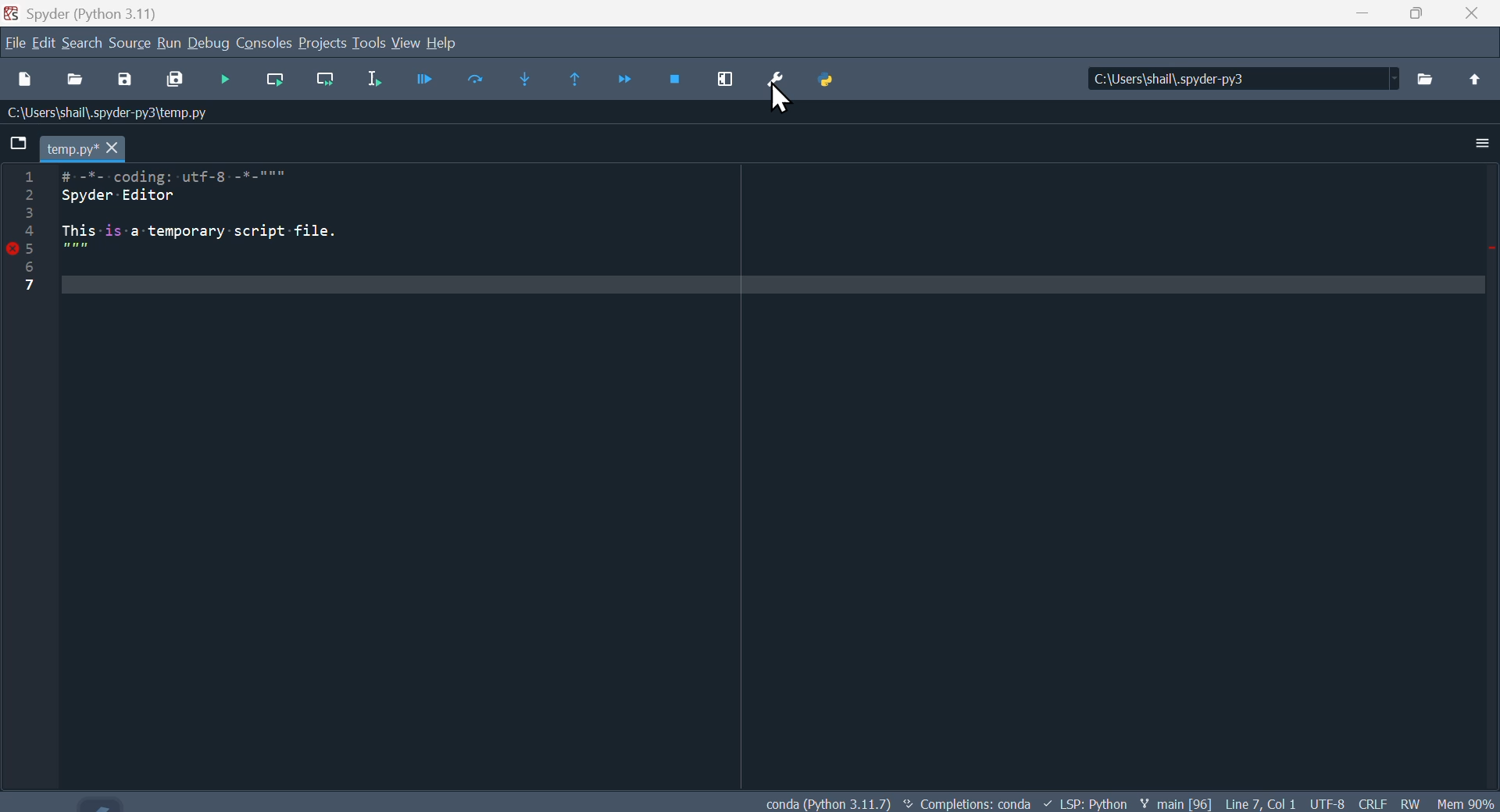 This screenshot has height=812, width=1500. I want to click on Continue execution until same function returns, so click(577, 81).